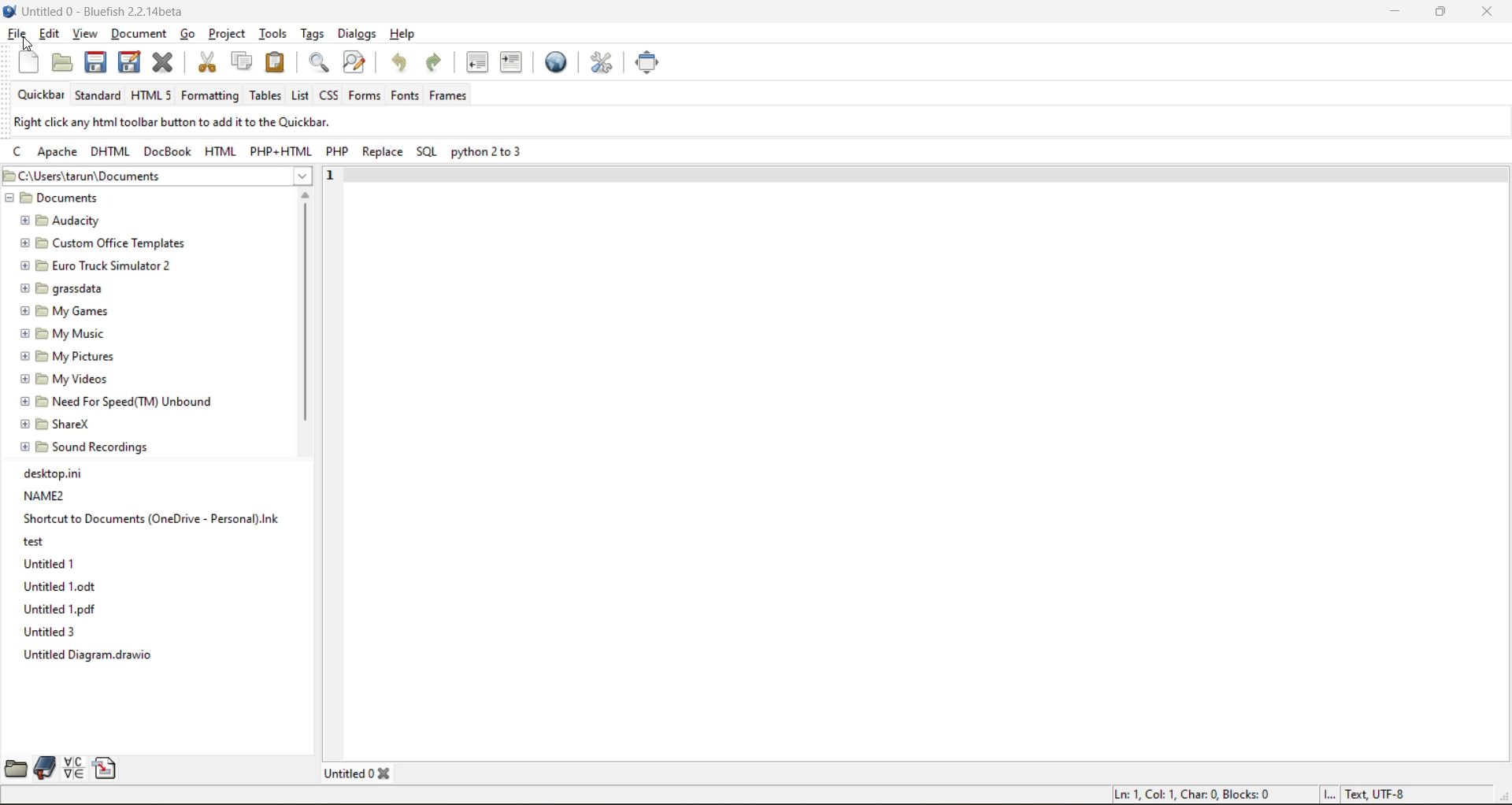 This screenshot has width=1512, height=805. I want to click on save as, so click(130, 67).